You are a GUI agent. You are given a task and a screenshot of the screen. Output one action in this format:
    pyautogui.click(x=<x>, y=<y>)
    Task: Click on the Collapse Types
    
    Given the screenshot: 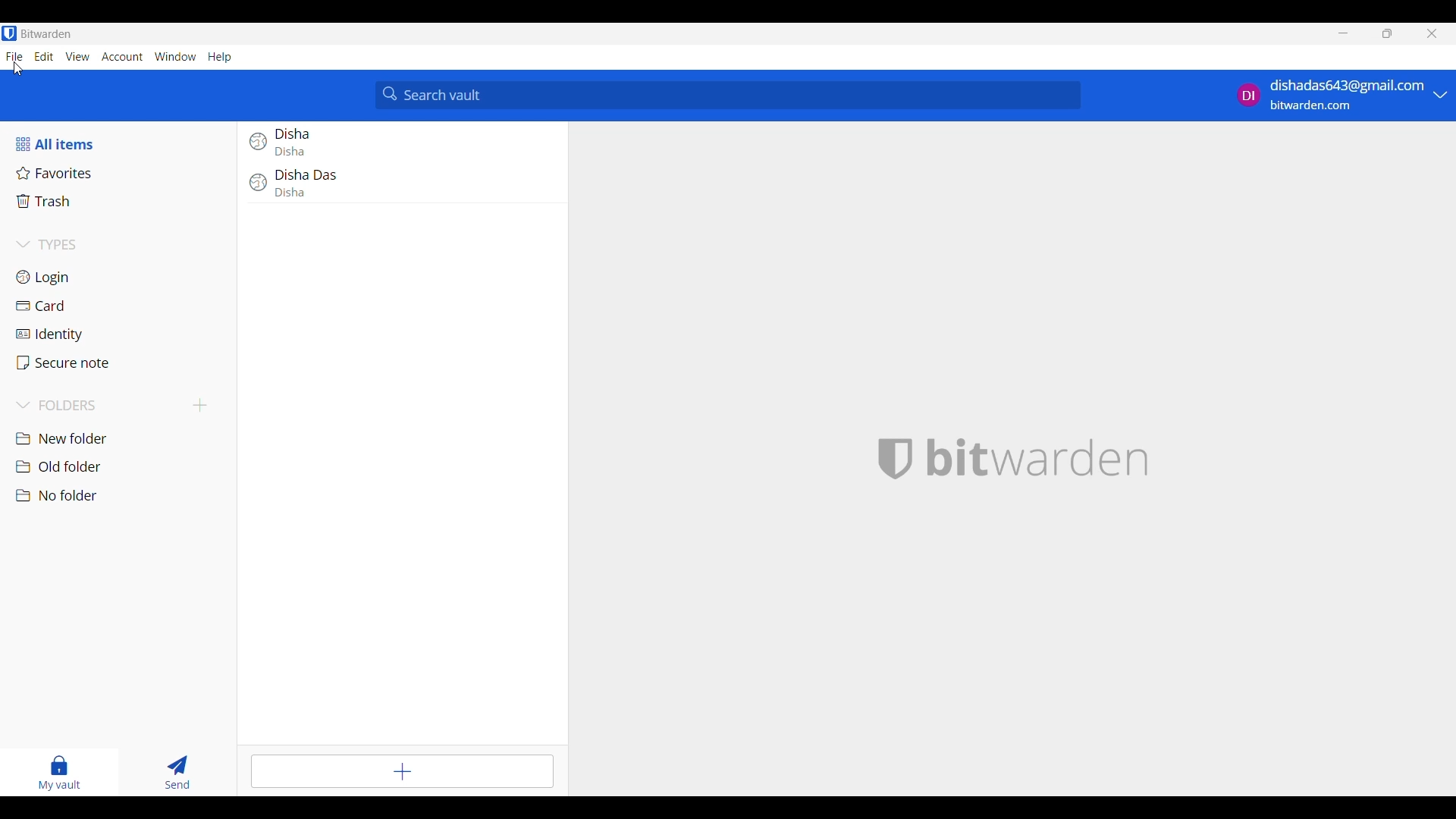 What is the action you would take?
    pyautogui.click(x=49, y=244)
    